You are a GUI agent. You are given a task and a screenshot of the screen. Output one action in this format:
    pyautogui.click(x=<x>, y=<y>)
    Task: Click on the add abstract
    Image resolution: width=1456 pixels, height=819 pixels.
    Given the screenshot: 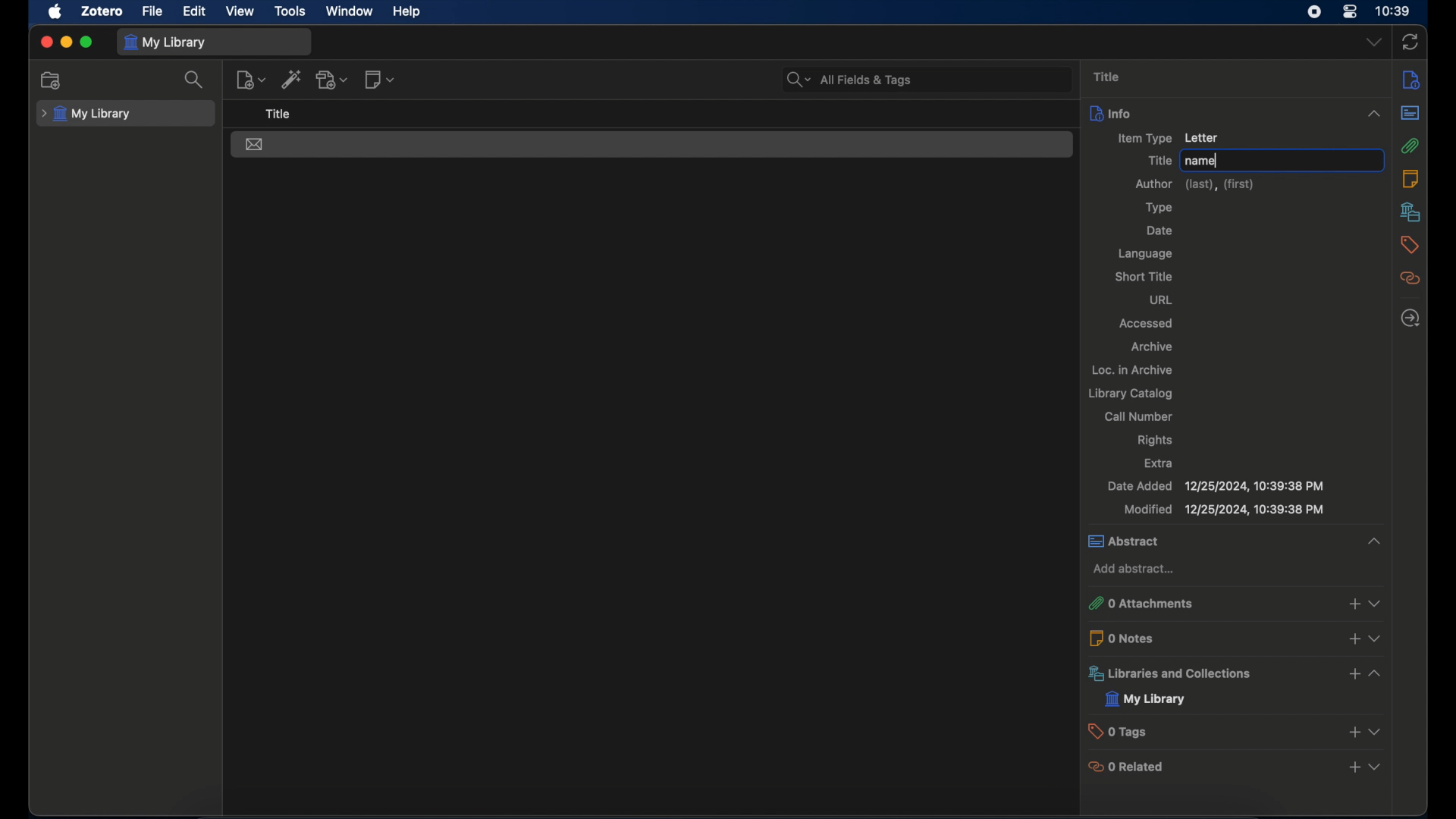 What is the action you would take?
    pyautogui.click(x=1136, y=570)
    